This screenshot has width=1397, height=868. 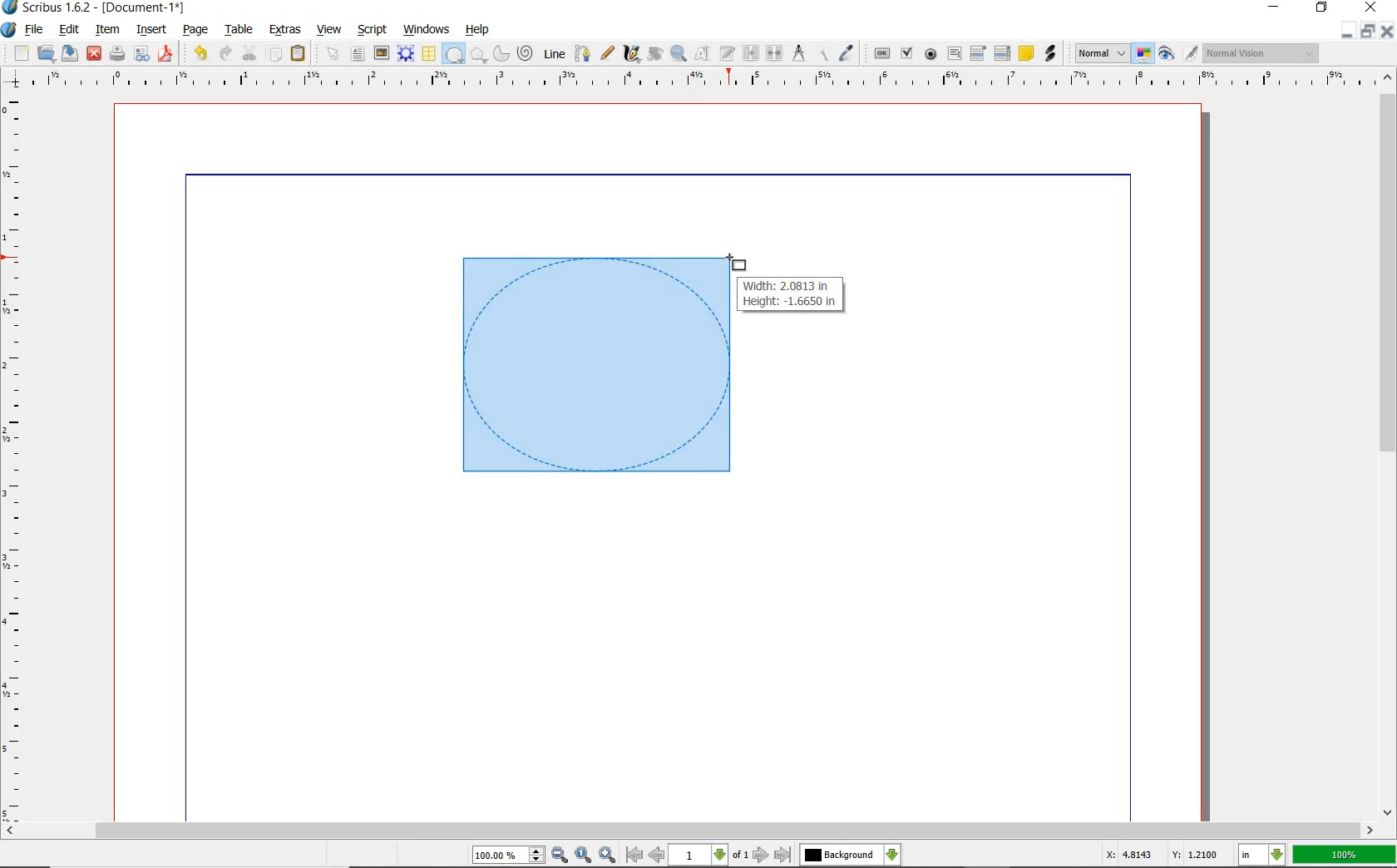 I want to click on SELECT THE IMAGE PREVIEW QUALITY, so click(x=1102, y=53).